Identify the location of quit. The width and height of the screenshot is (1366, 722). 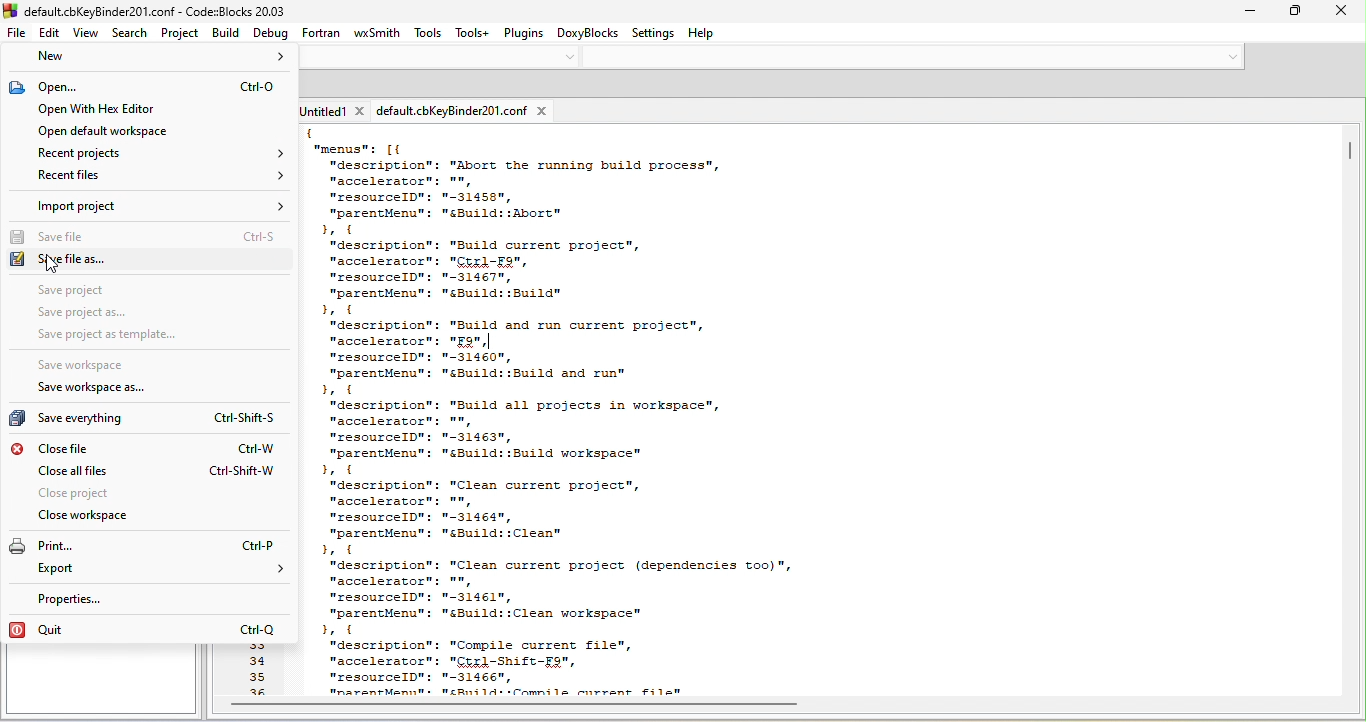
(140, 631).